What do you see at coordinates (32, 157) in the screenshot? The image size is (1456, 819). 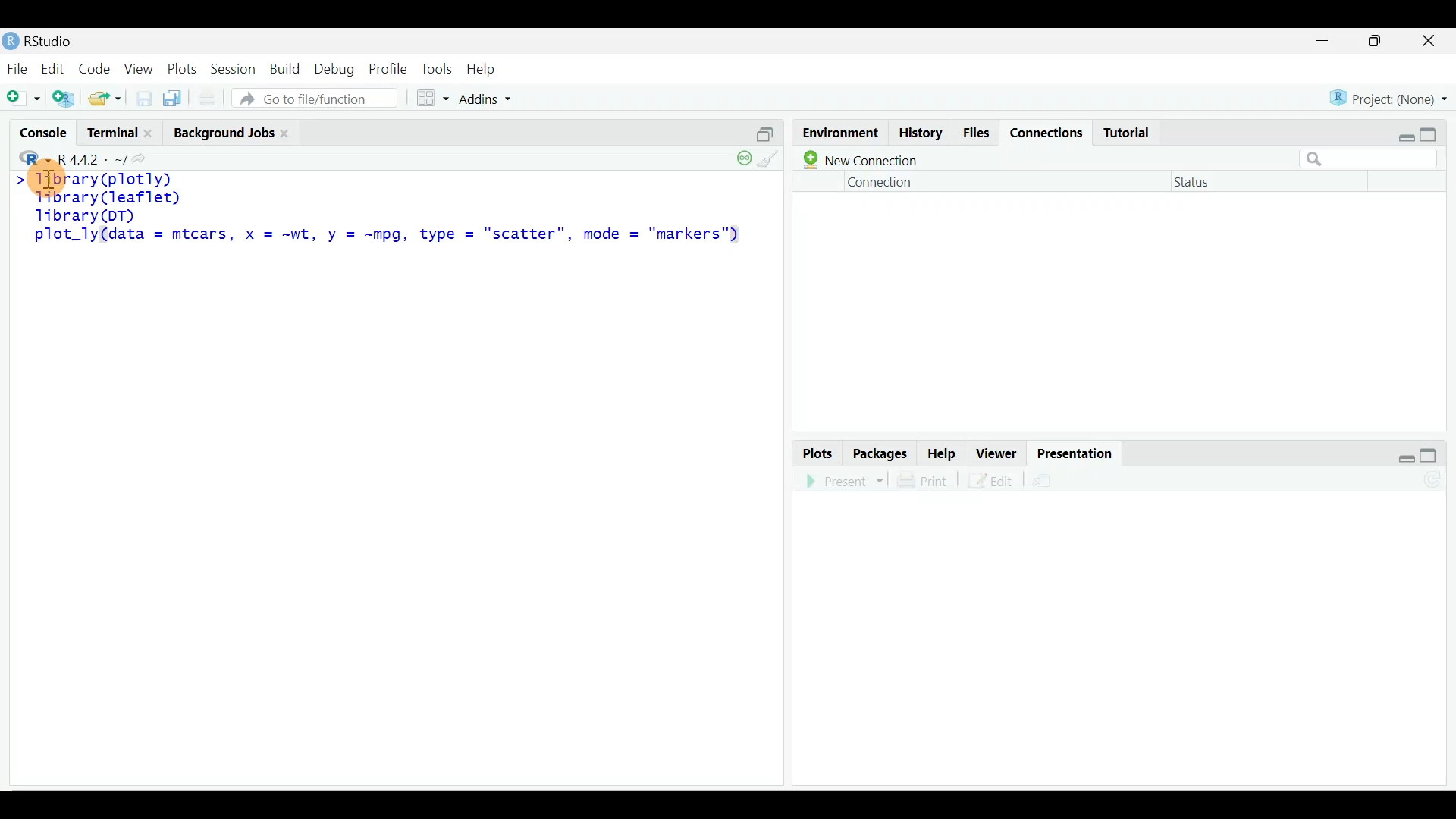 I see `R` at bounding box center [32, 157].